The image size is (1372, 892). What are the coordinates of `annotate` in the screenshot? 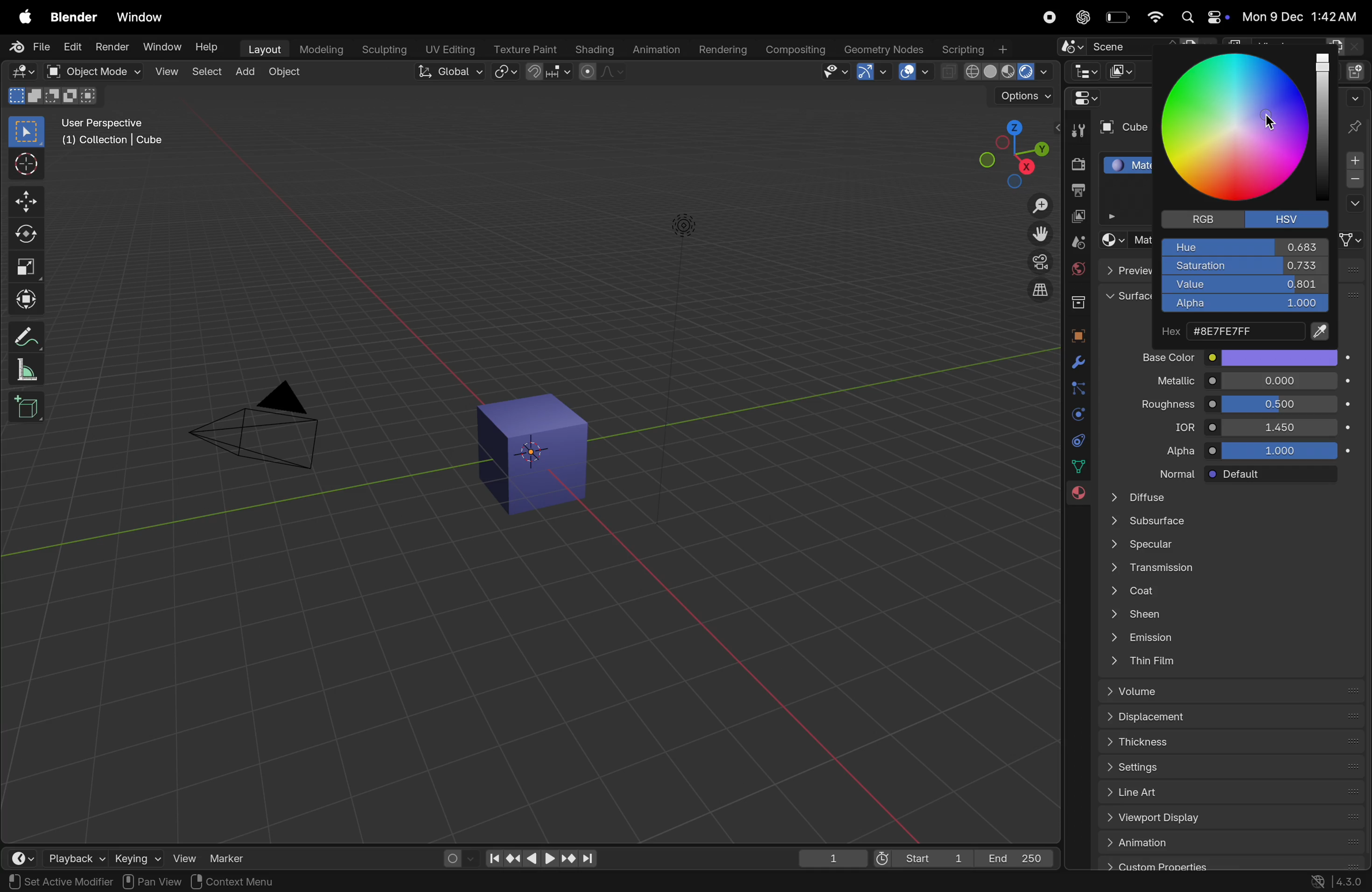 It's located at (22, 337).